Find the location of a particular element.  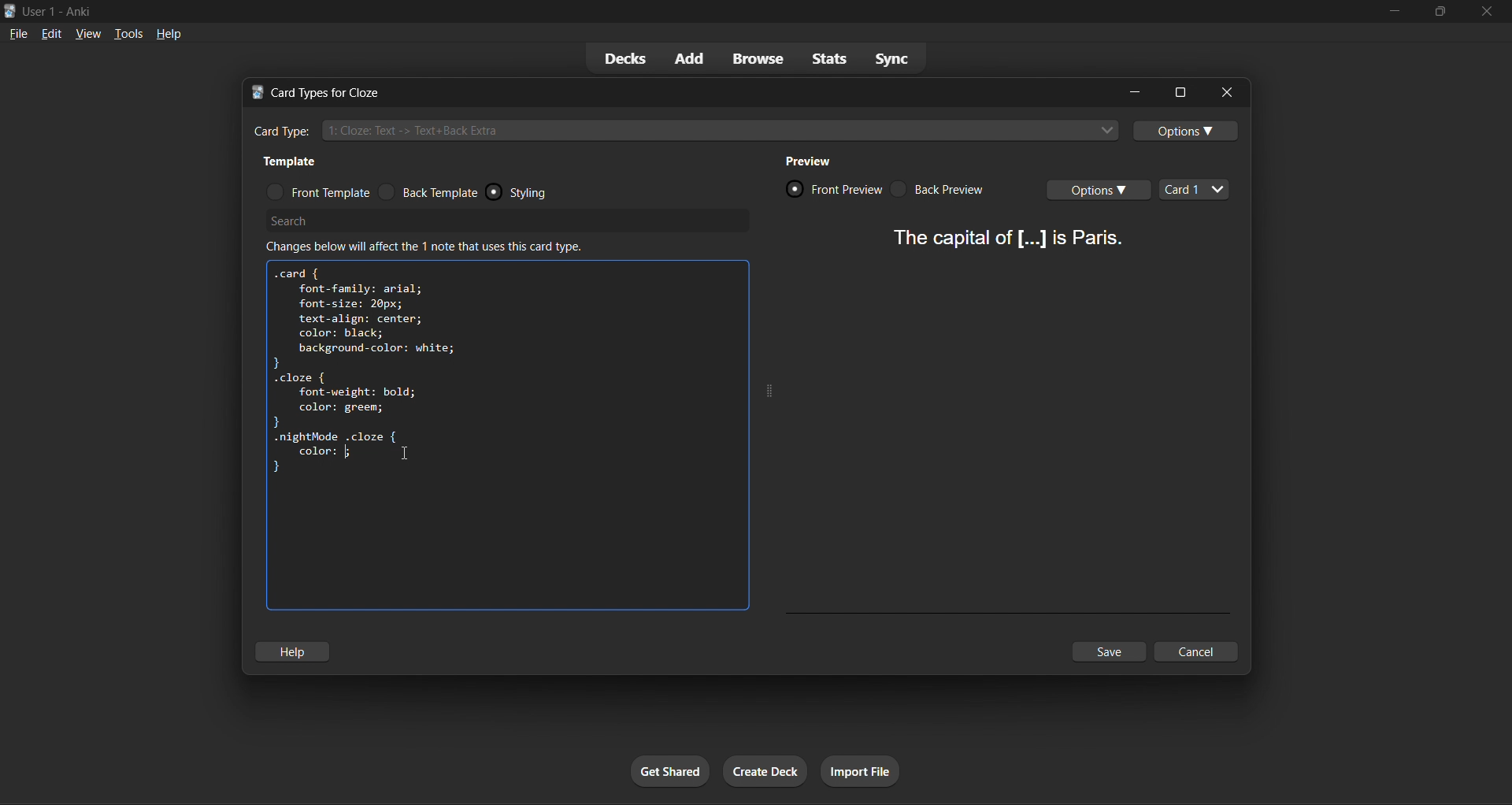

cloze card type input box  is located at coordinates (685, 131).